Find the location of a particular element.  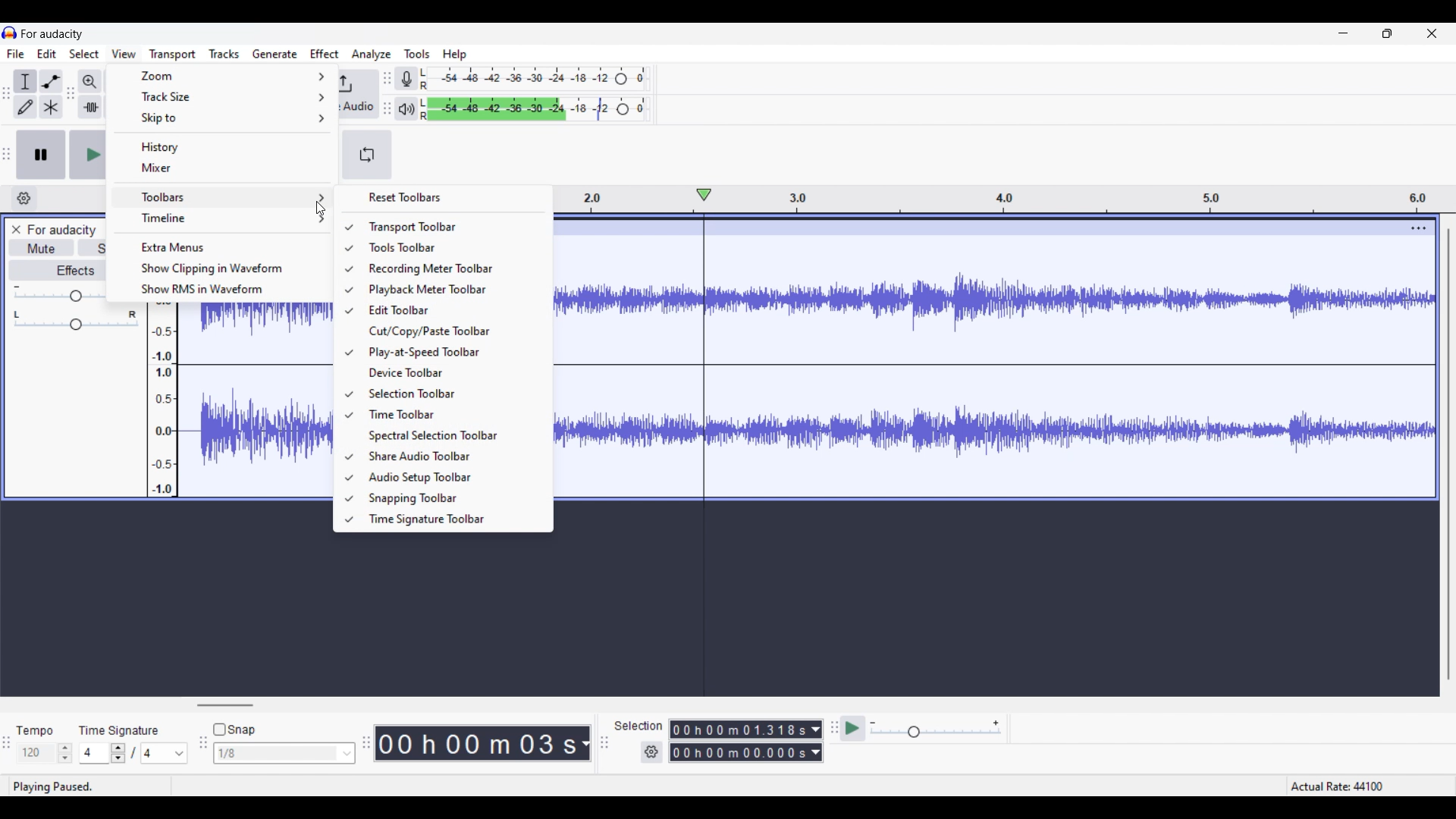

Reset toolbars is located at coordinates (442, 197).